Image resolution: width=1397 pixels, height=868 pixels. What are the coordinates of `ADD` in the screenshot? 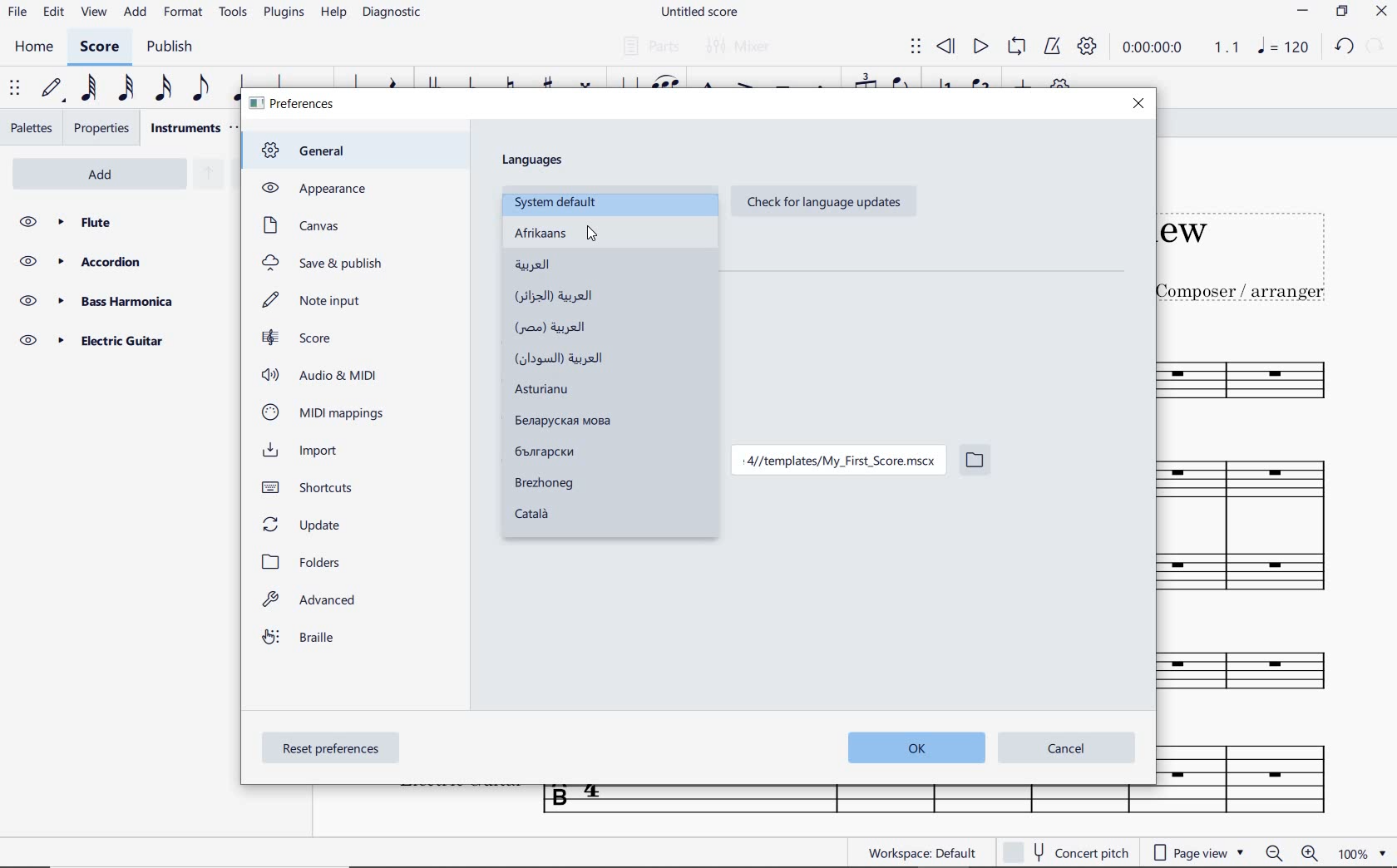 It's located at (106, 172).